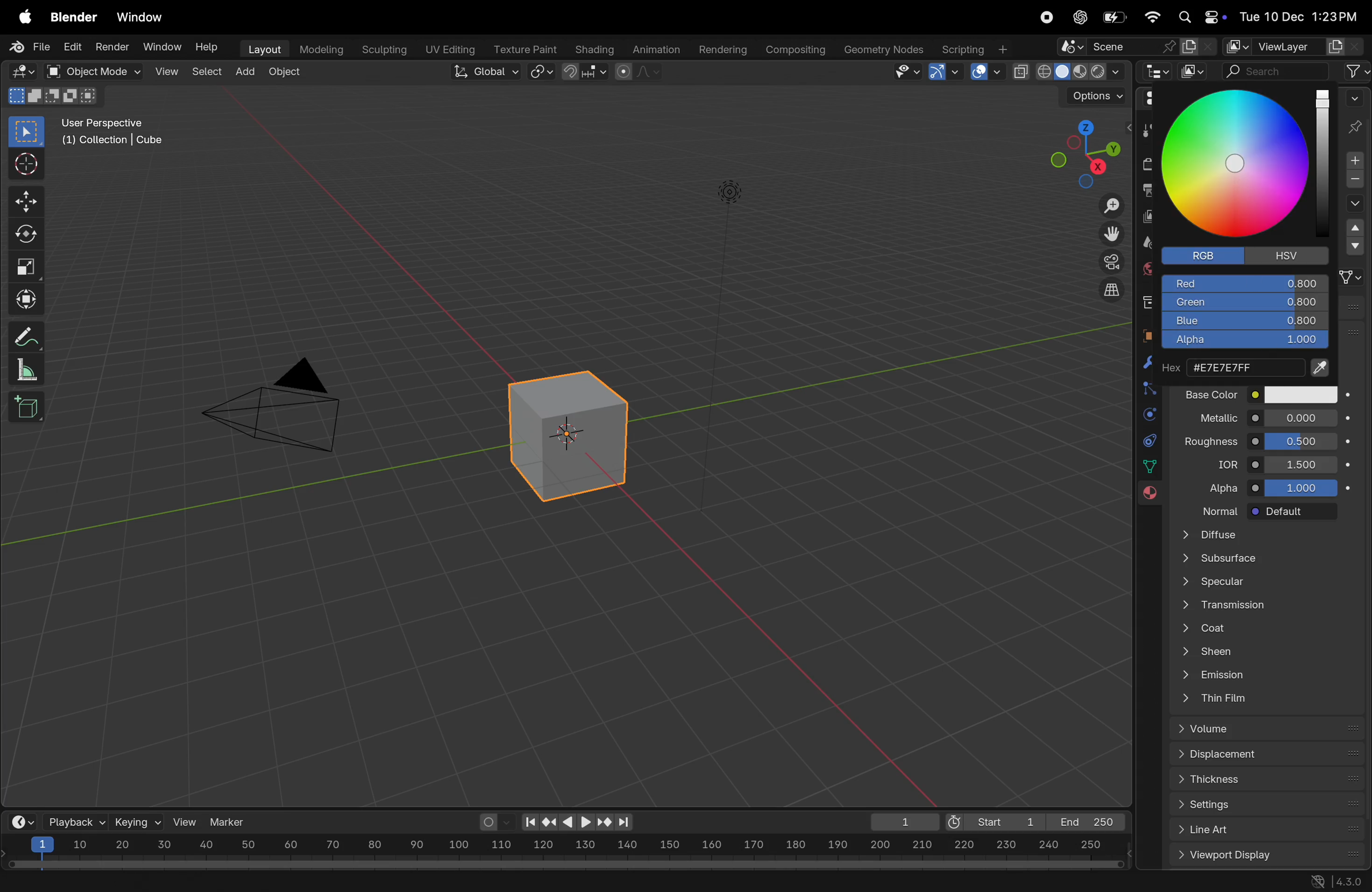 The height and width of the screenshot is (892, 1372). Describe the element at coordinates (1143, 334) in the screenshot. I see `object` at that location.